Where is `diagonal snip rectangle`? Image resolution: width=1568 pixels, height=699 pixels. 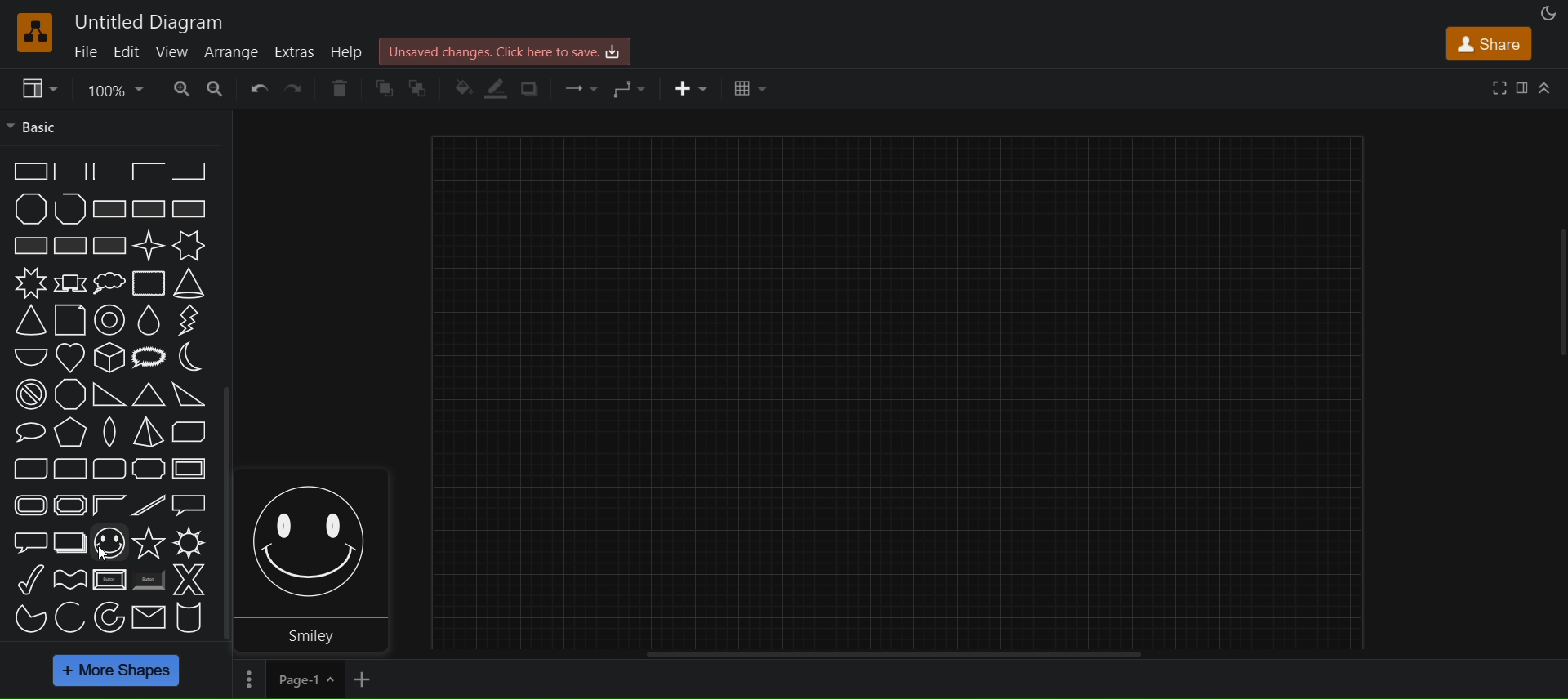 diagonal snip rectangle is located at coordinates (191, 432).